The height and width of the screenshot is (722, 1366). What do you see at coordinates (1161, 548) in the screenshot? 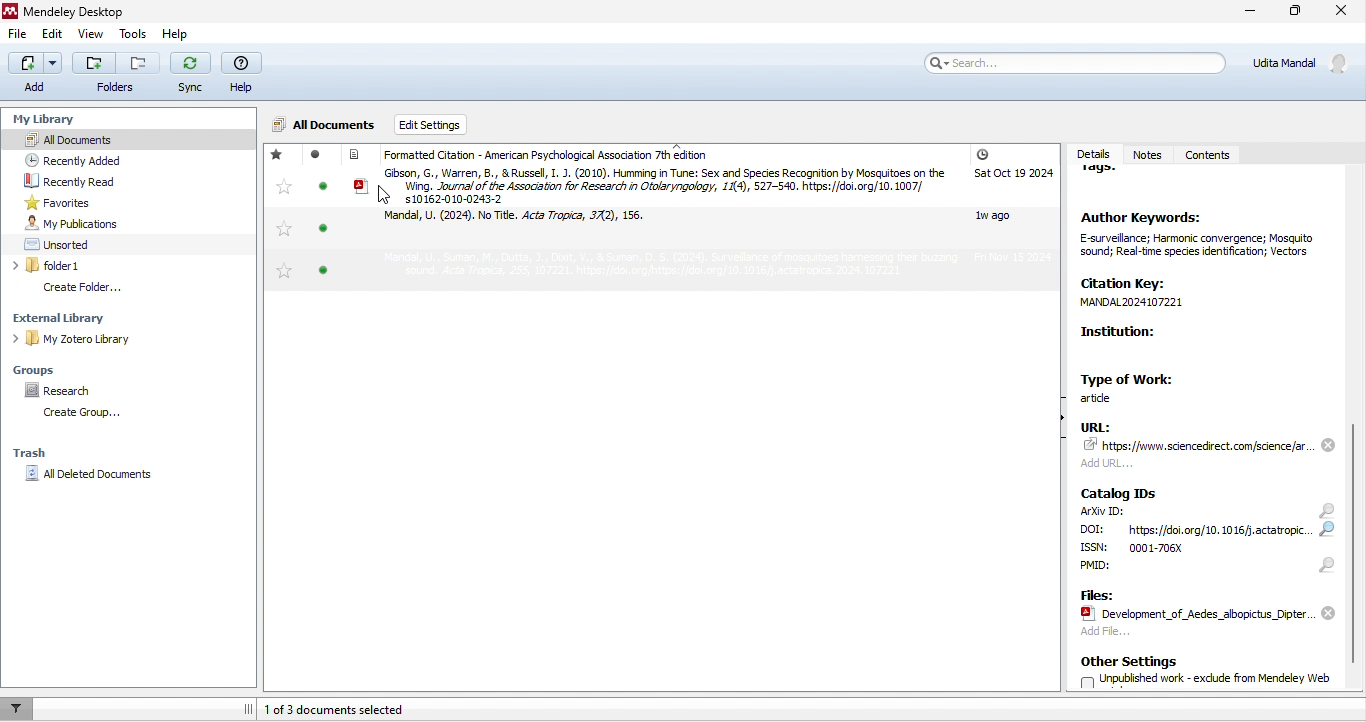
I see `ISSN` at bounding box center [1161, 548].